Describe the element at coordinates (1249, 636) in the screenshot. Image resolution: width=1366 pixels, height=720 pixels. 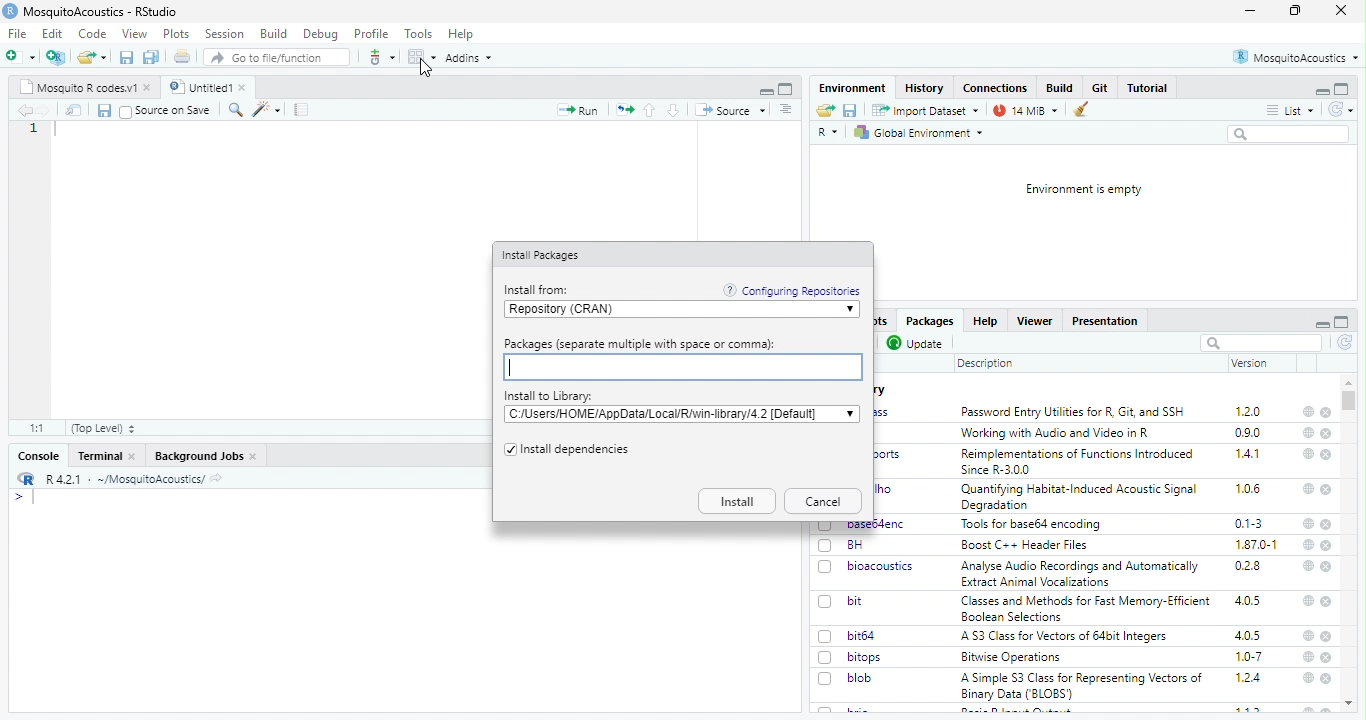
I see `405` at that location.